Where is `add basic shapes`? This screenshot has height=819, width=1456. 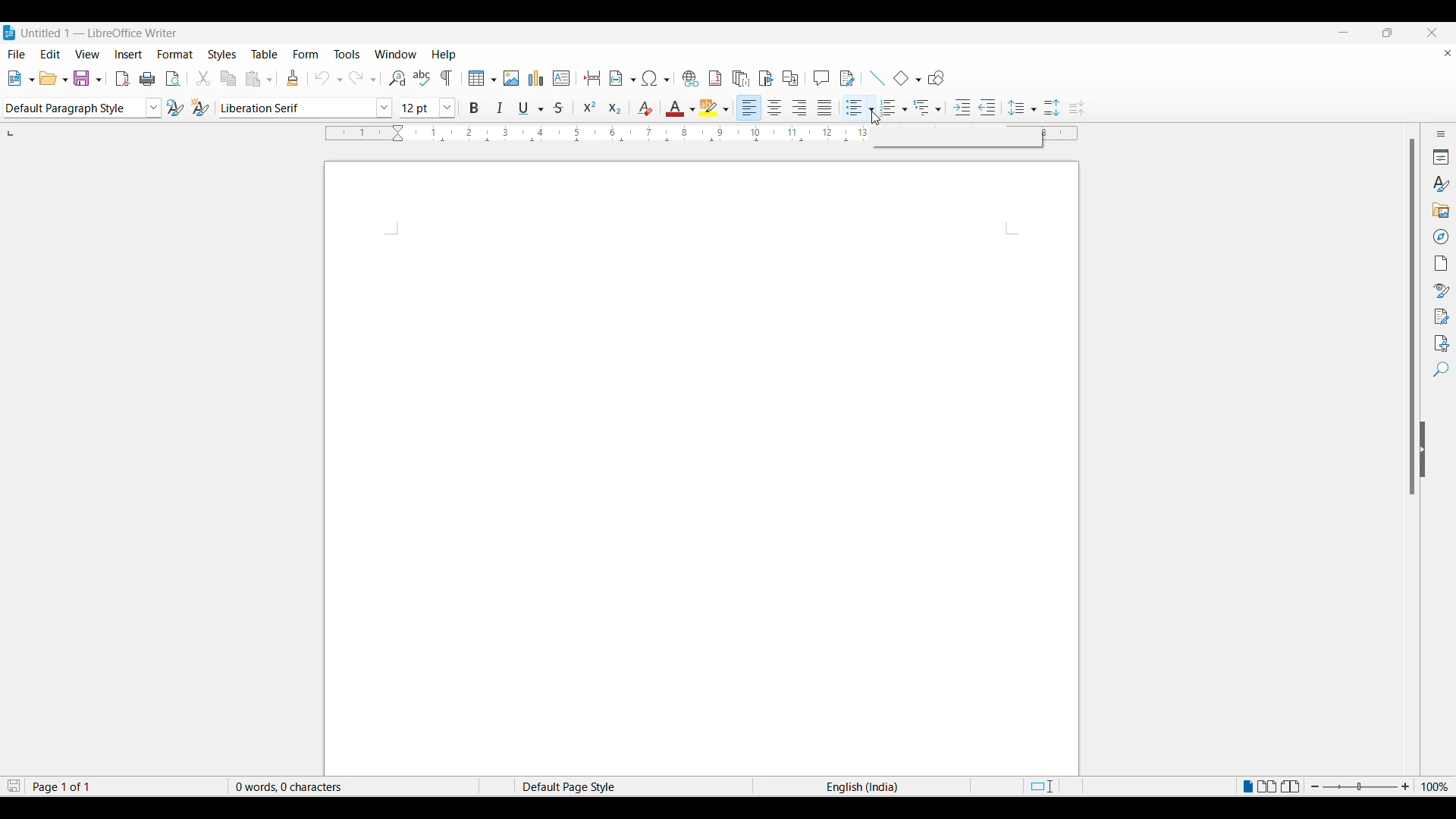
add basic shapes is located at coordinates (906, 78).